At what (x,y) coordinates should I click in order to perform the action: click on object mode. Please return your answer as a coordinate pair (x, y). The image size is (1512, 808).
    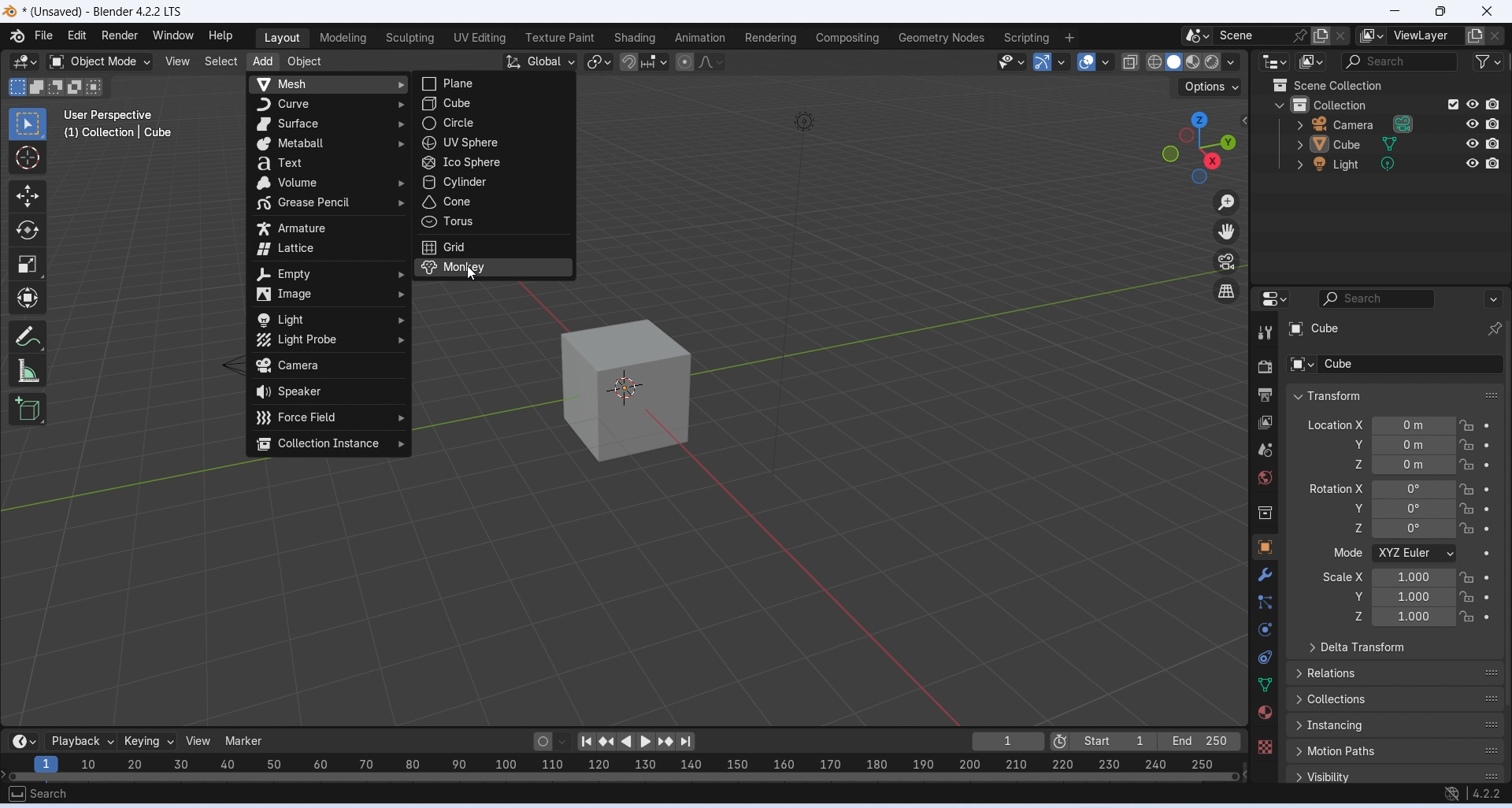
    Looking at the image, I should click on (100, 62).